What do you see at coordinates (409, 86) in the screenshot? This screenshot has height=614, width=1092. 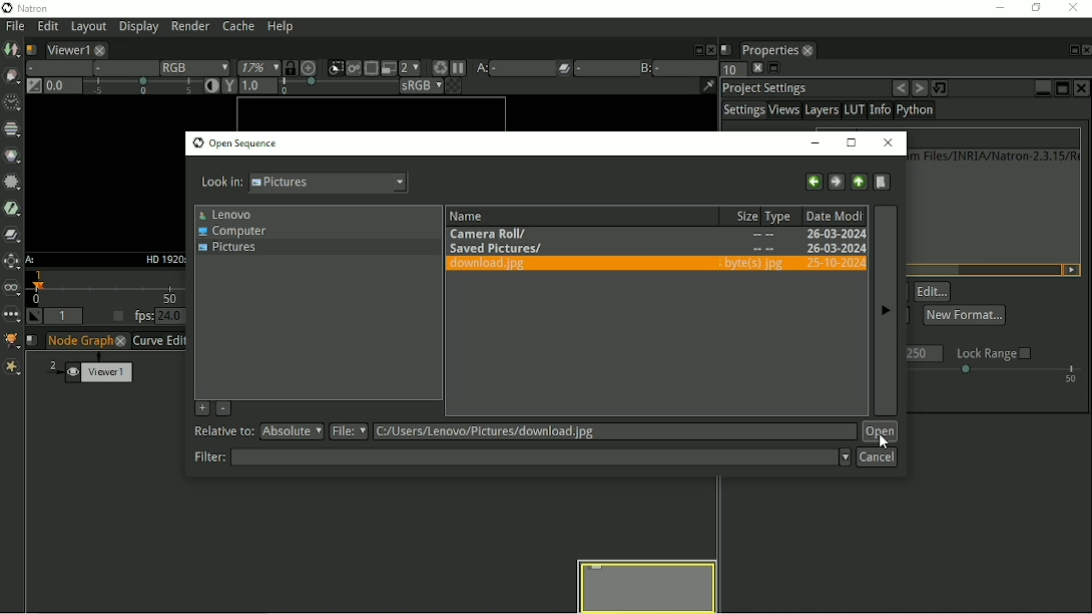 I see `sRGB` at bounding box center [409, 86].